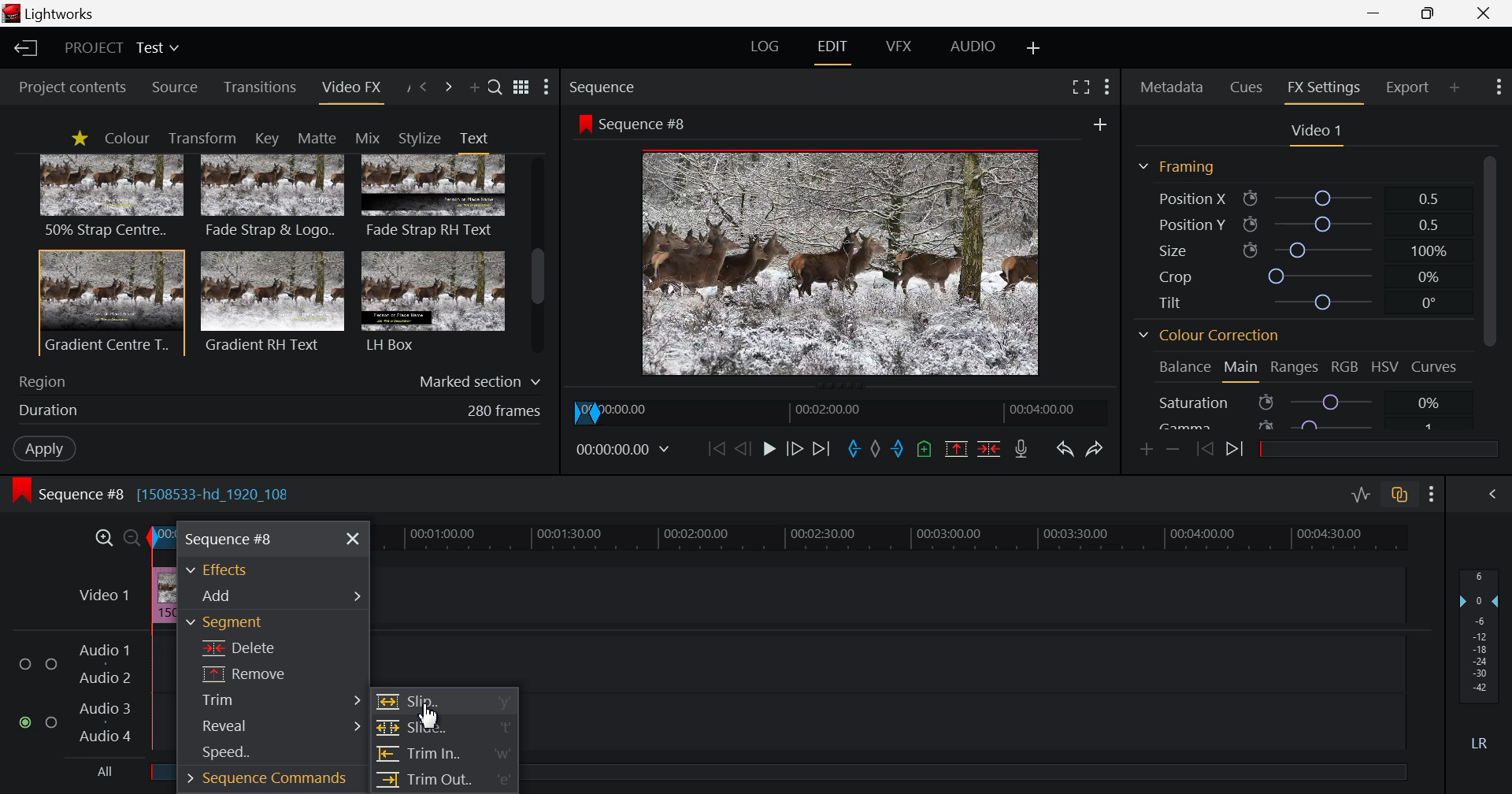  What do you see at coordinates (1021, 451) in the screenshot?
I see `Record voiceover` at bounding box center [1021, 451].